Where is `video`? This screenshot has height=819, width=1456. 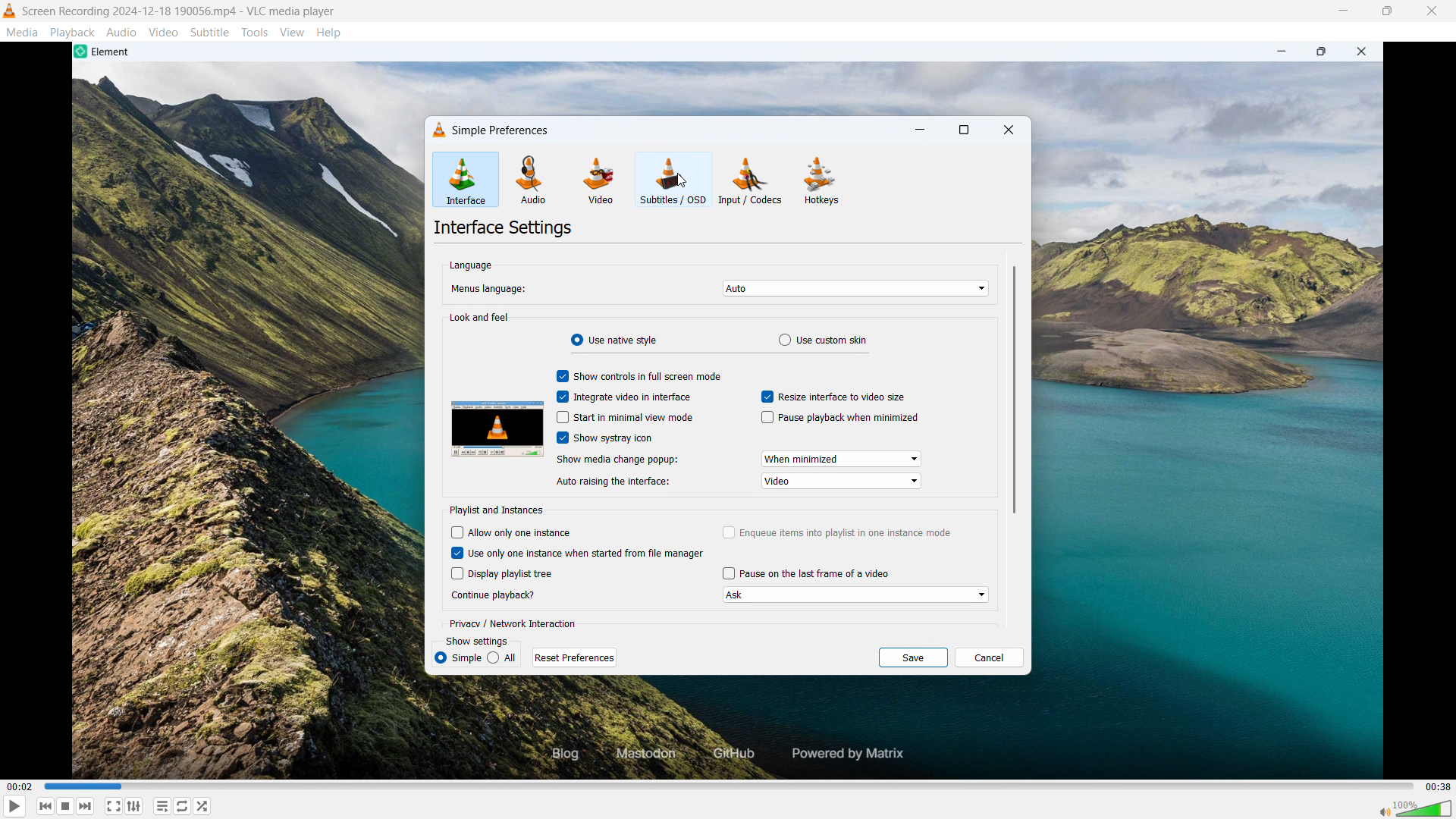 video is located at coordinates (163, 32).